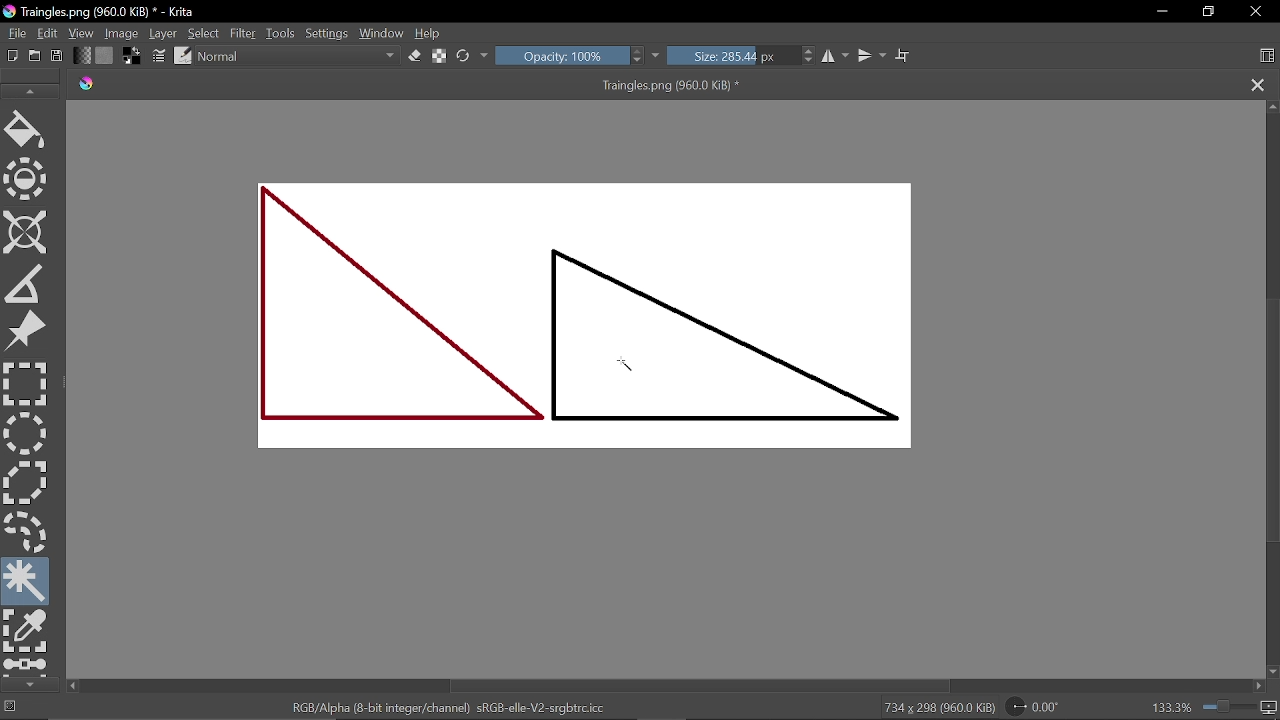  Describe the element at coordinates (1162, 11) in the screenshot. I see `Minimize` at that location.